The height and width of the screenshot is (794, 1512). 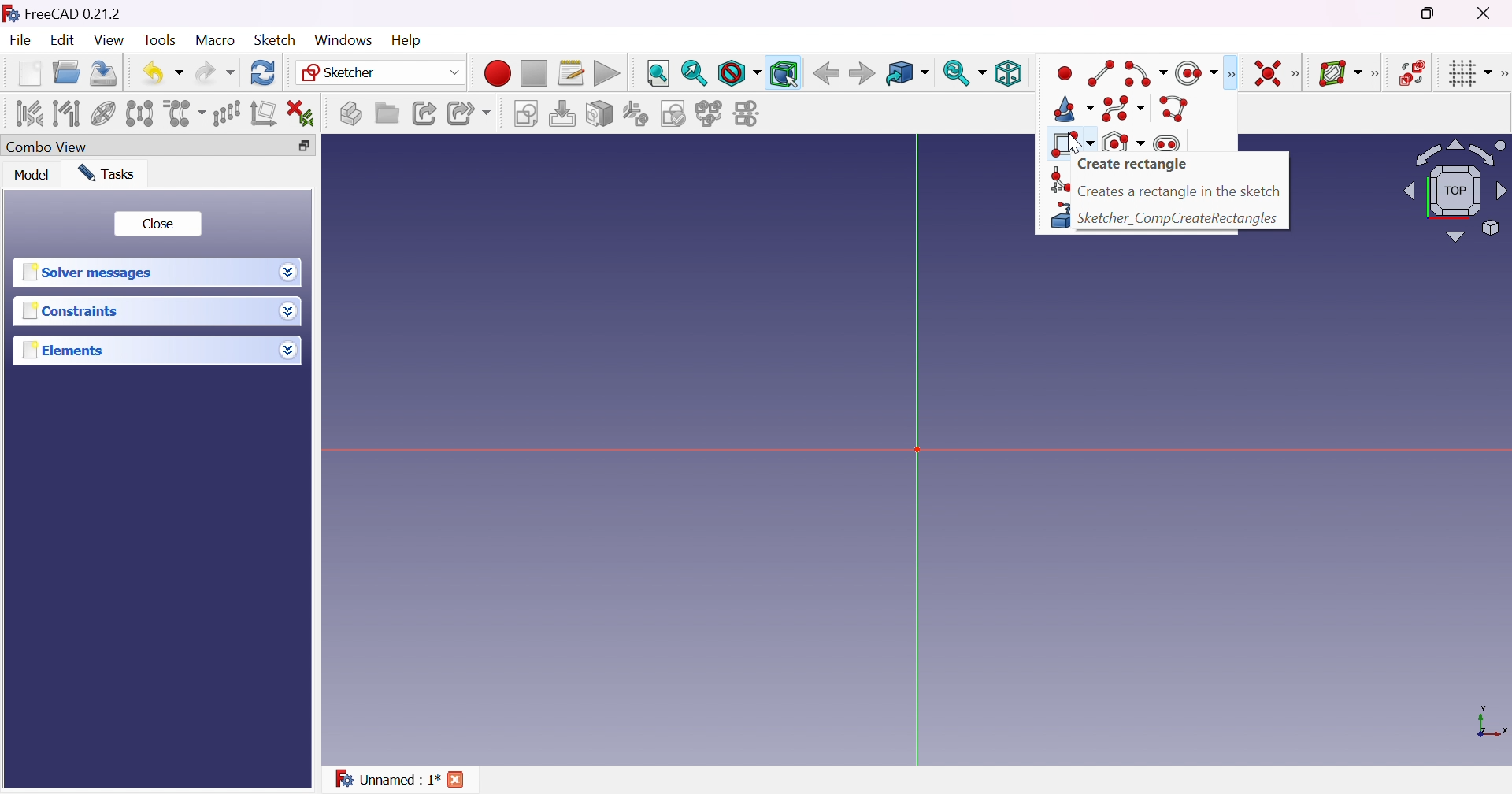 I want to click on Close, so click(x=158, y=225).